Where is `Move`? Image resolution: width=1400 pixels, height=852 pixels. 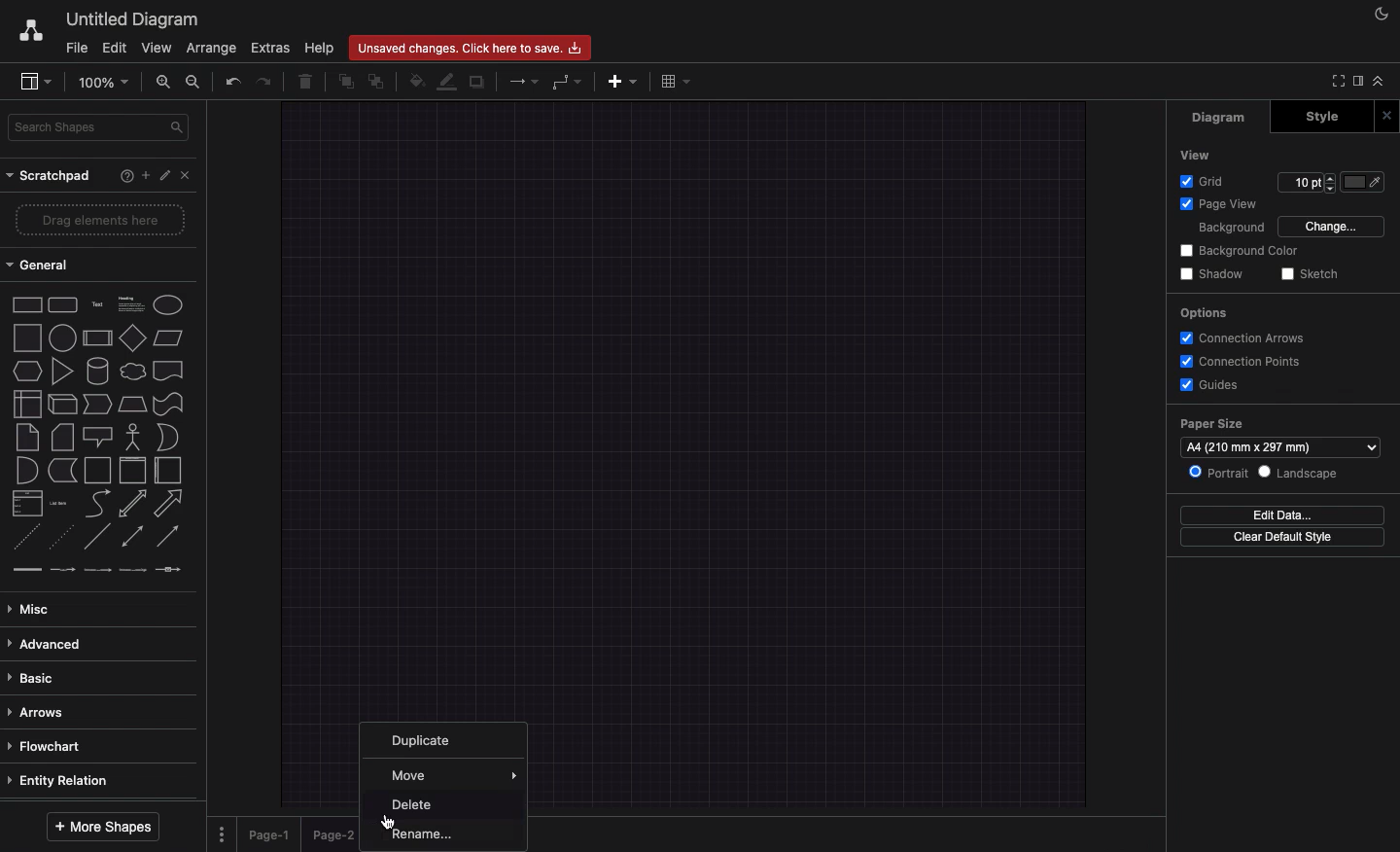
Move is located at coordinates (457, 774).